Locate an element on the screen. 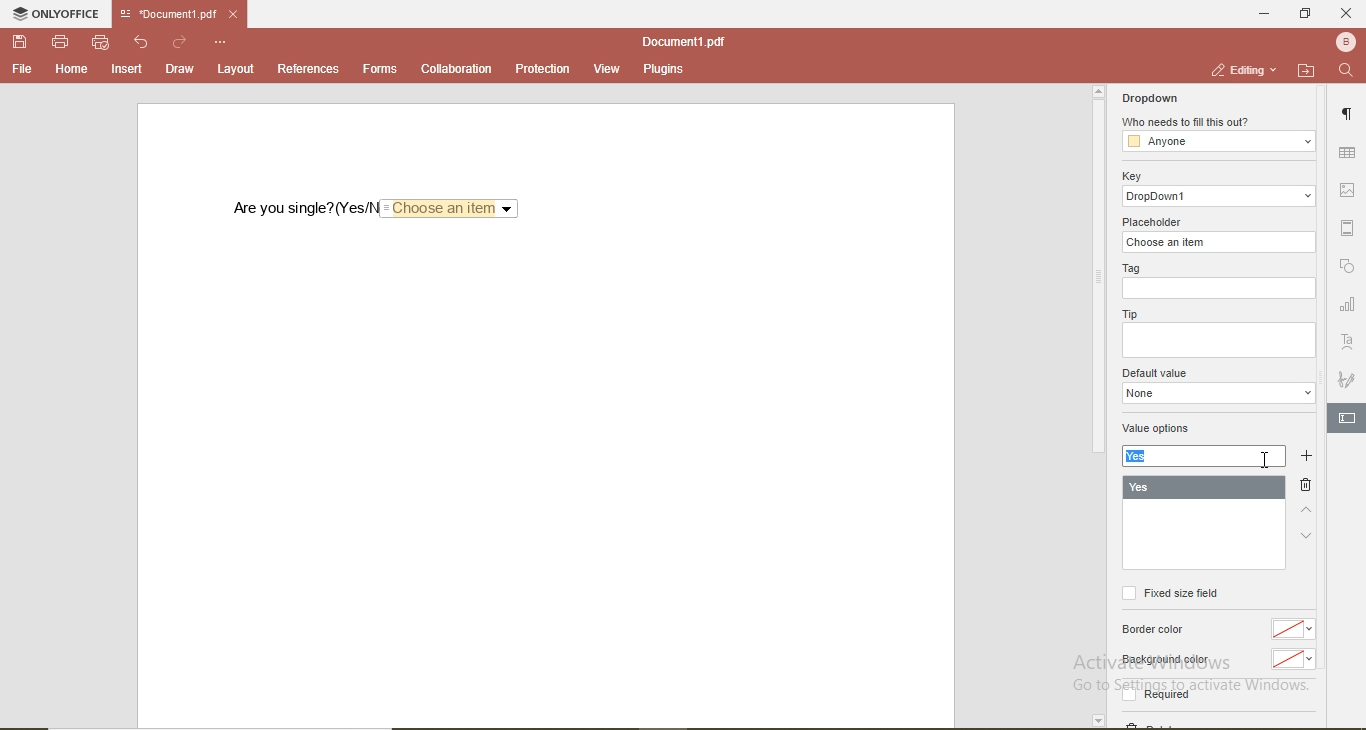 The image size is (1366, 730). delete is located at coordinates (1305, 484).